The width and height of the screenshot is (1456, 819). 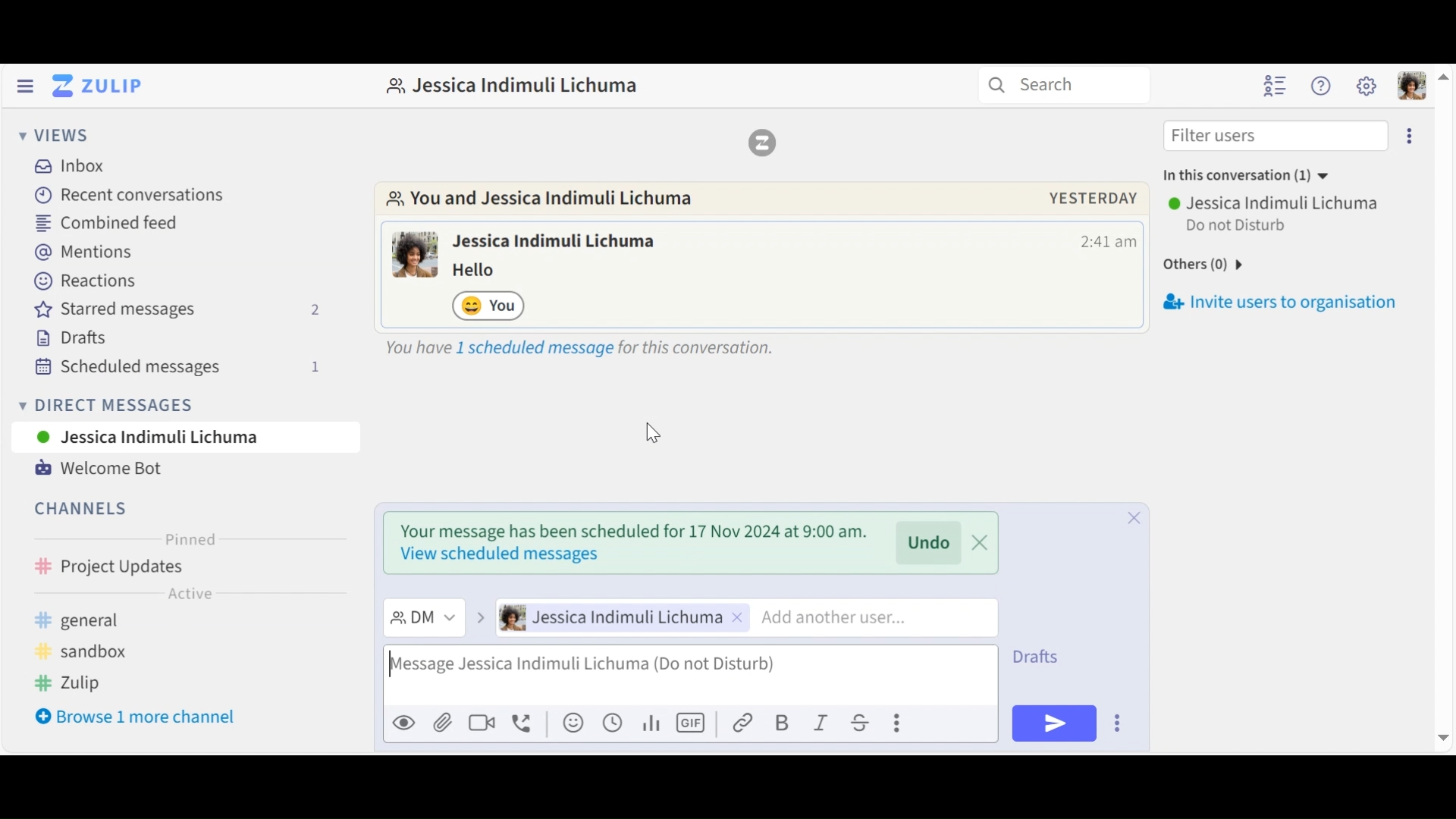 I want to click on Close, so click(x=981, y=543).